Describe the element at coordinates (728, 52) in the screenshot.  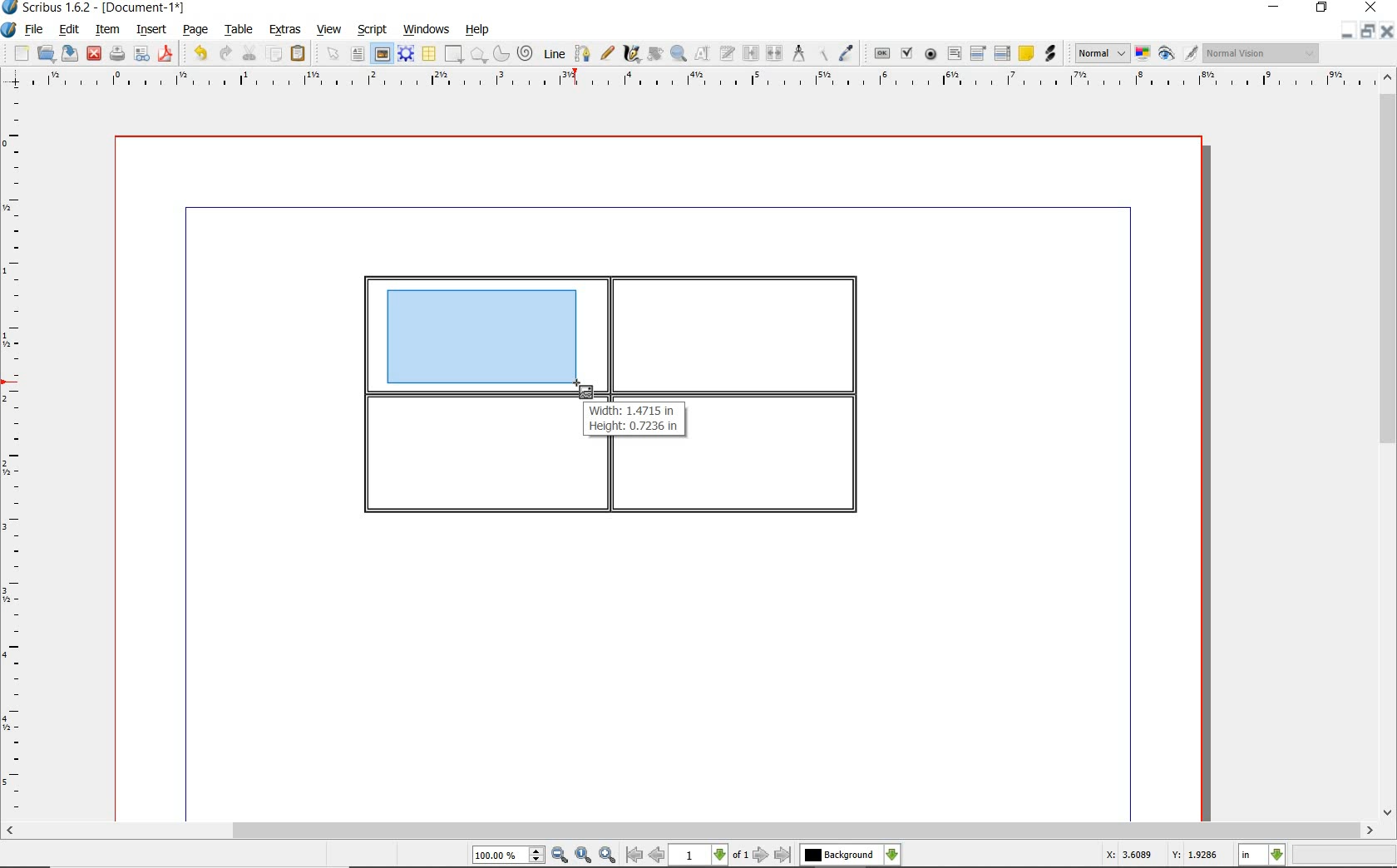
I see `edit text with story editor` at that location.